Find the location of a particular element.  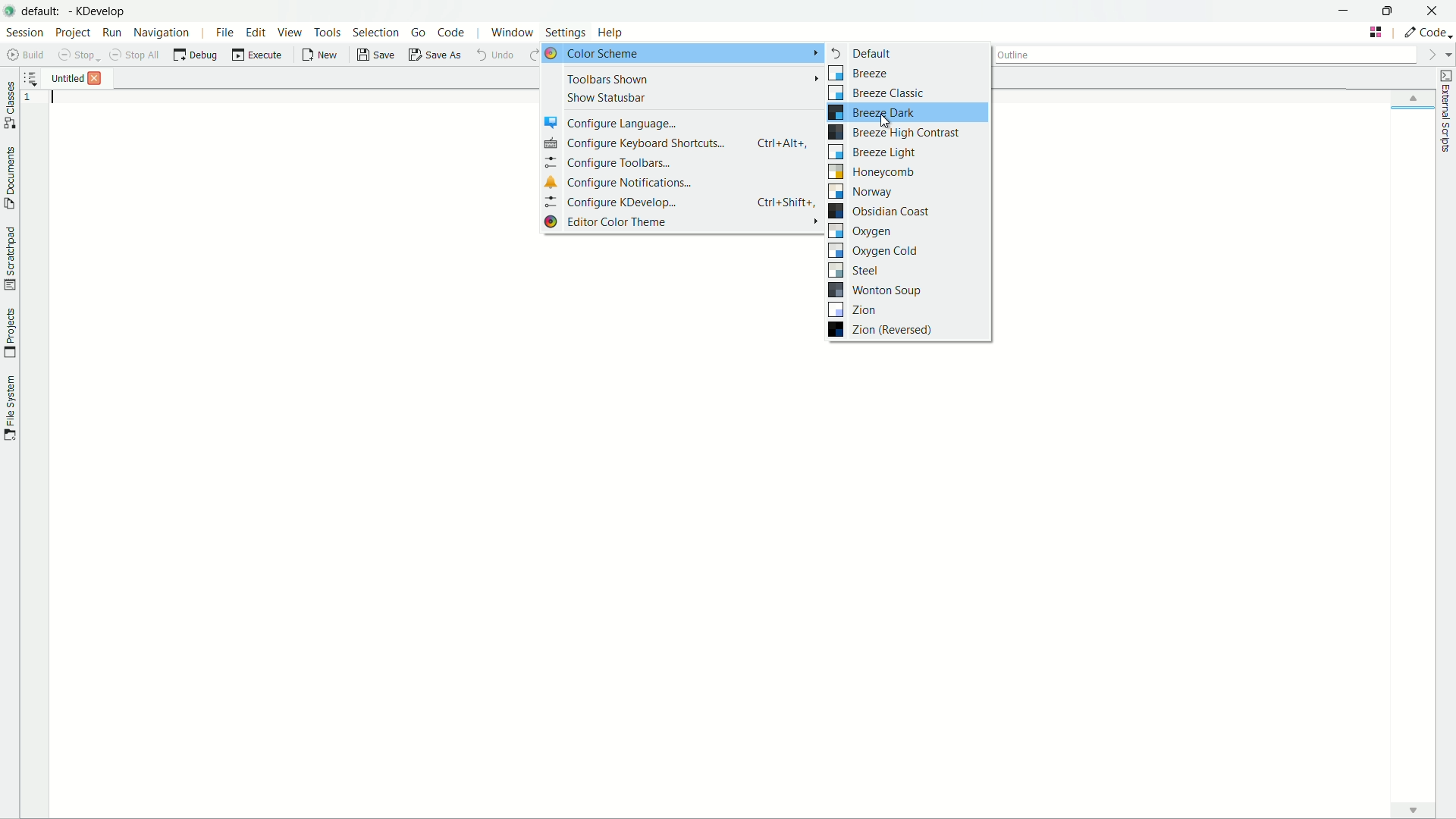

maximize or restore is located at coordinates (1386, 9).